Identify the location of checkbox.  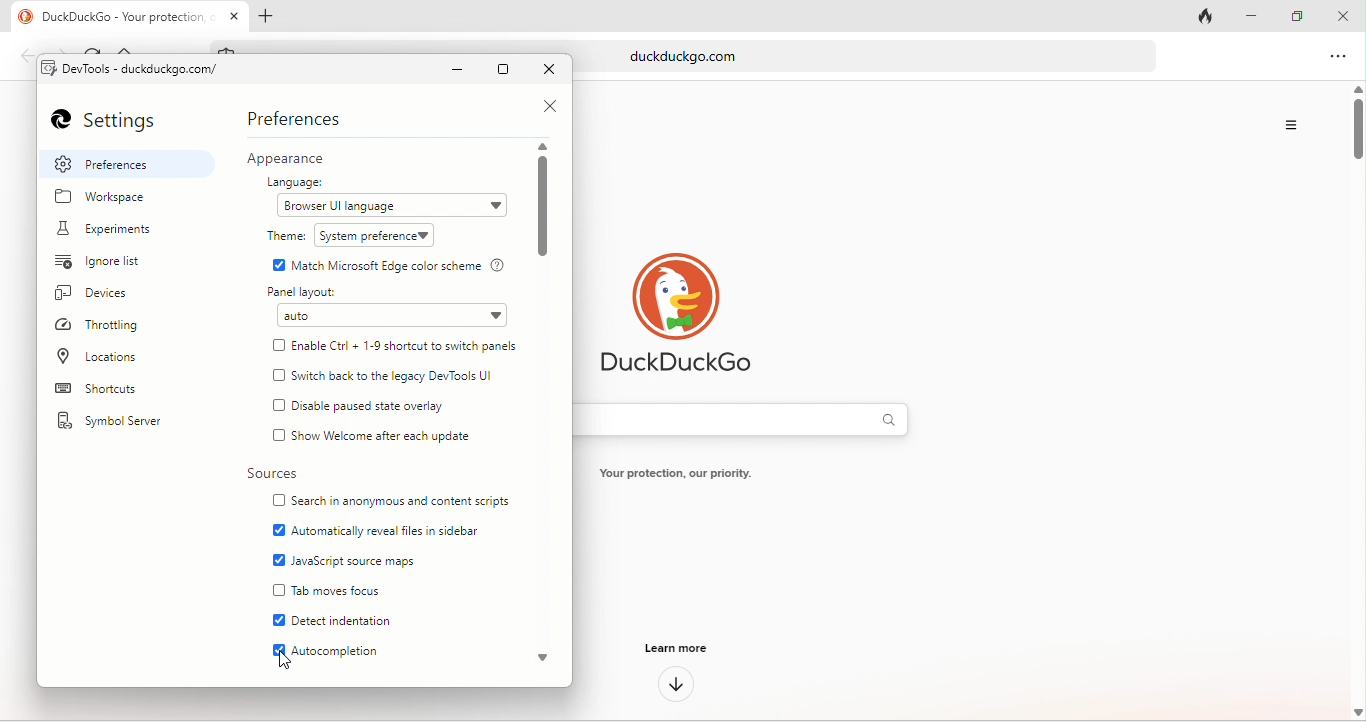
(279, 590).